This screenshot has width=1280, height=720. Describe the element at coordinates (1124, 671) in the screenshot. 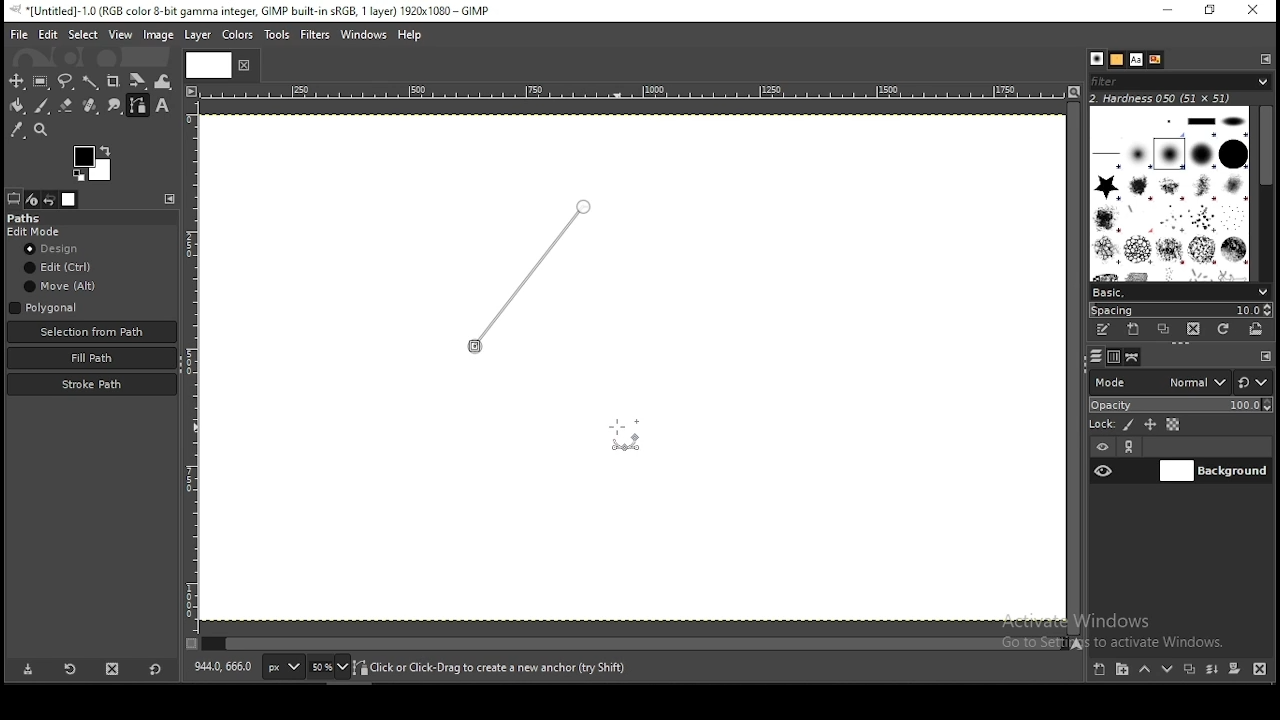

I see `create a new layer group` at that location.